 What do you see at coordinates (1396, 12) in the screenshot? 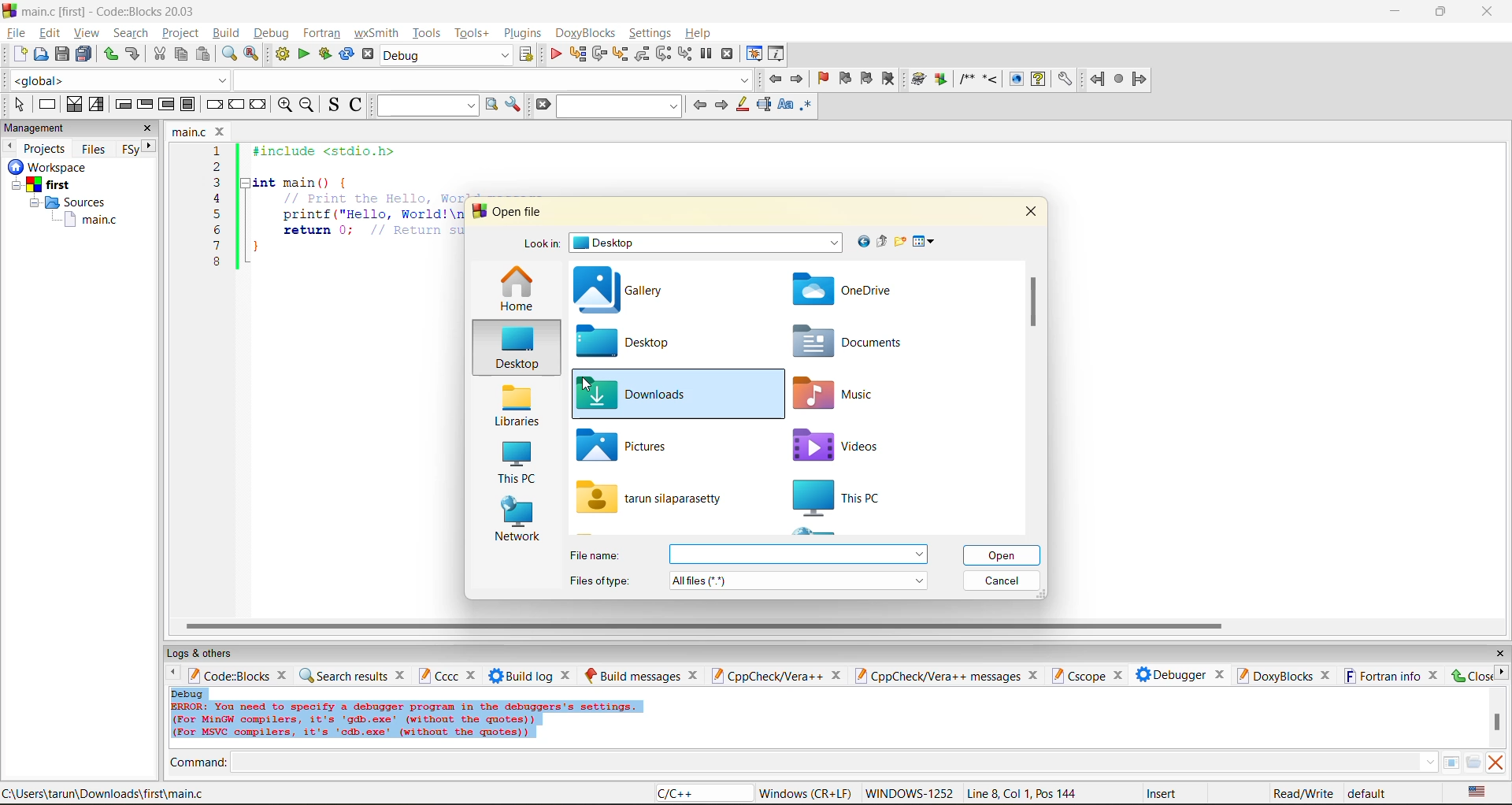
I see `minimize` at bounding box center [1396, 12].